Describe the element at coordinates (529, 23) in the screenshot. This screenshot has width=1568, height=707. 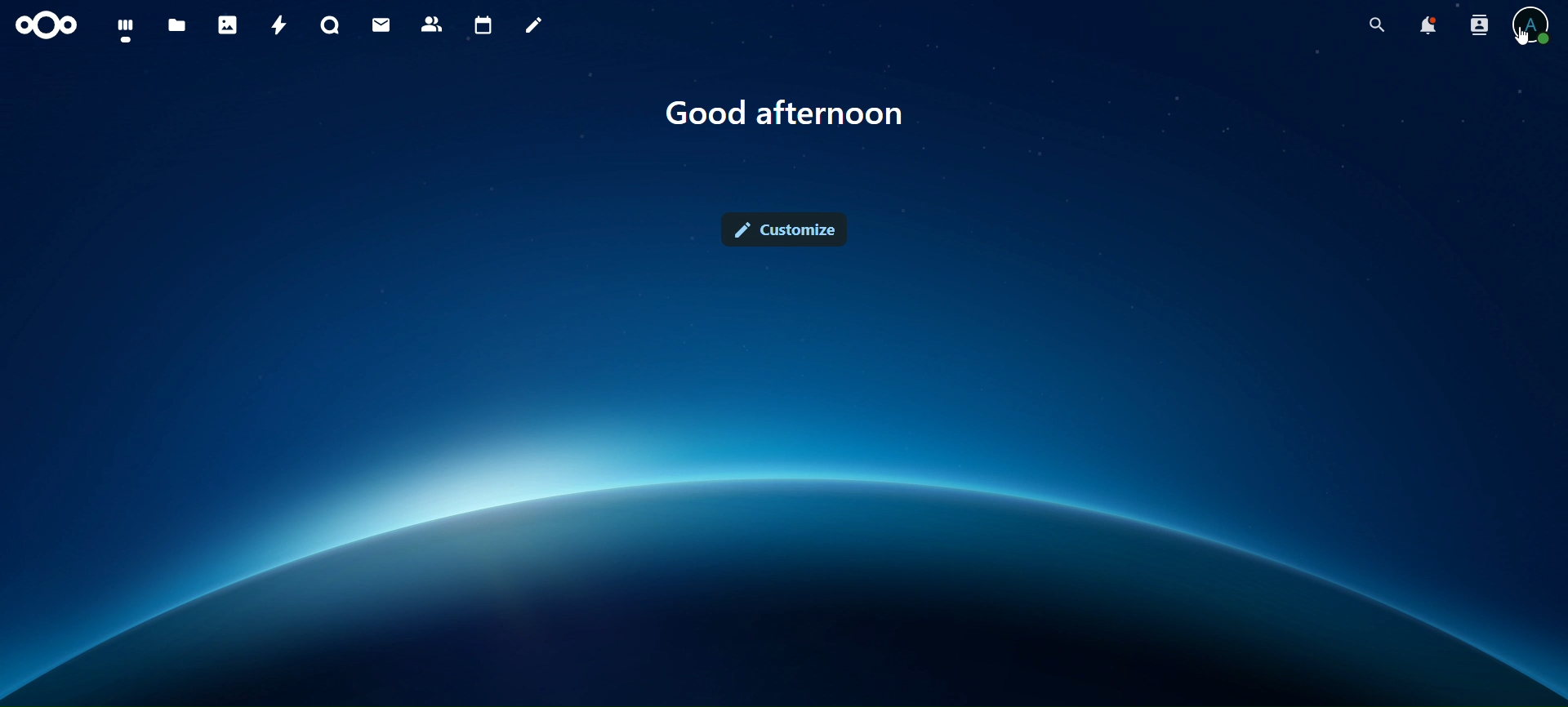
I see `notes` at that location.